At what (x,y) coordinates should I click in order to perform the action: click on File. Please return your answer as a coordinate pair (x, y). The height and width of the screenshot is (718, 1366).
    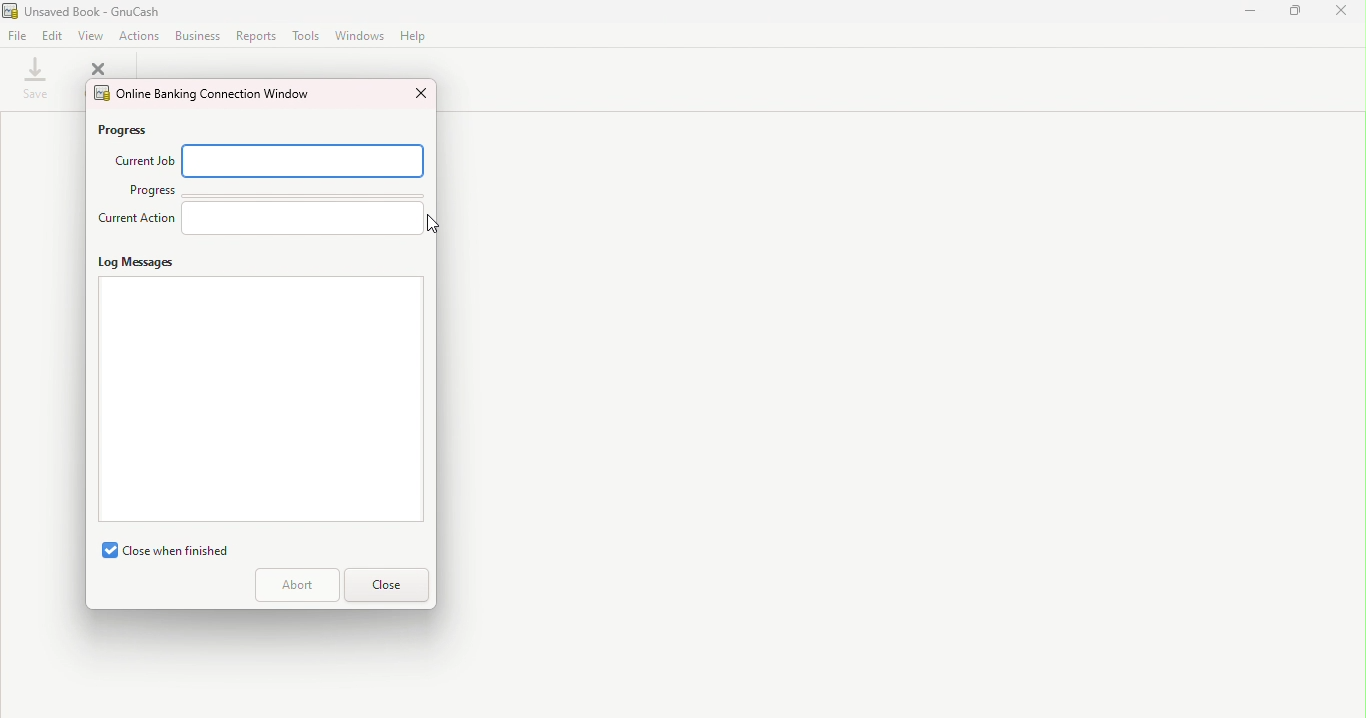
    Looking at the image, I should click on (20, 36).